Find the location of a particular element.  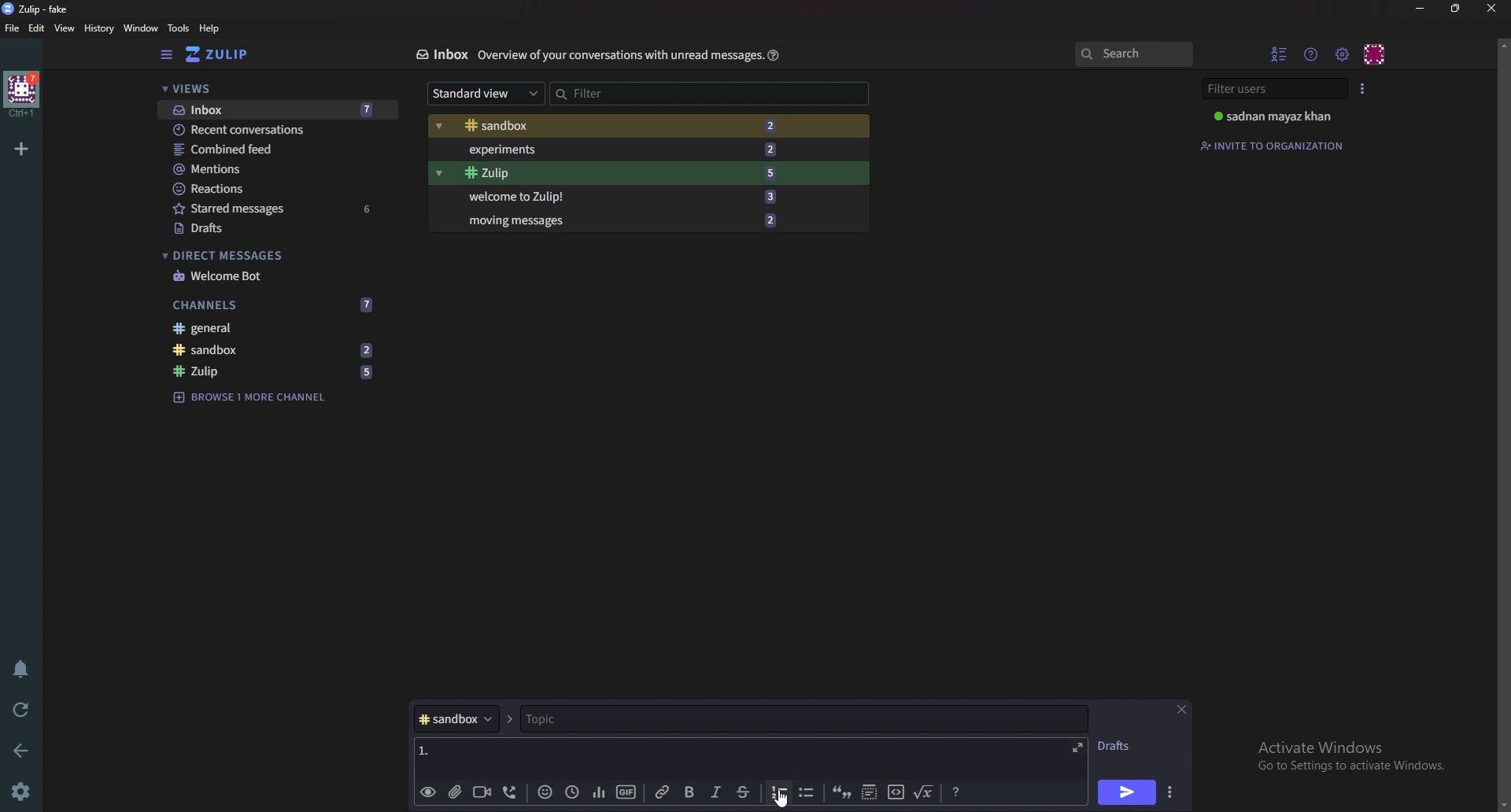

close is located at coordinates (1491, 8).